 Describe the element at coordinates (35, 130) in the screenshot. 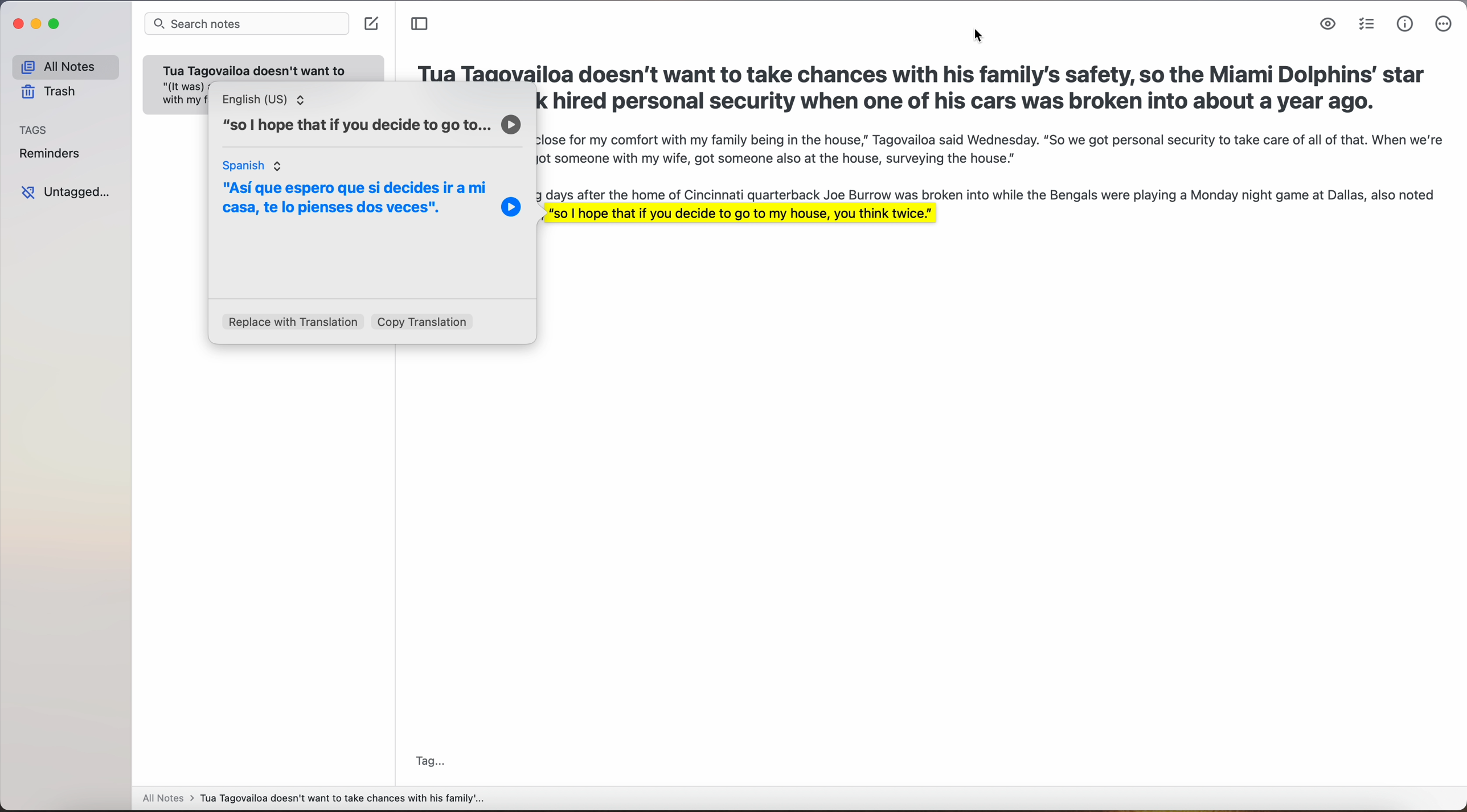

I see `tags` at that location.